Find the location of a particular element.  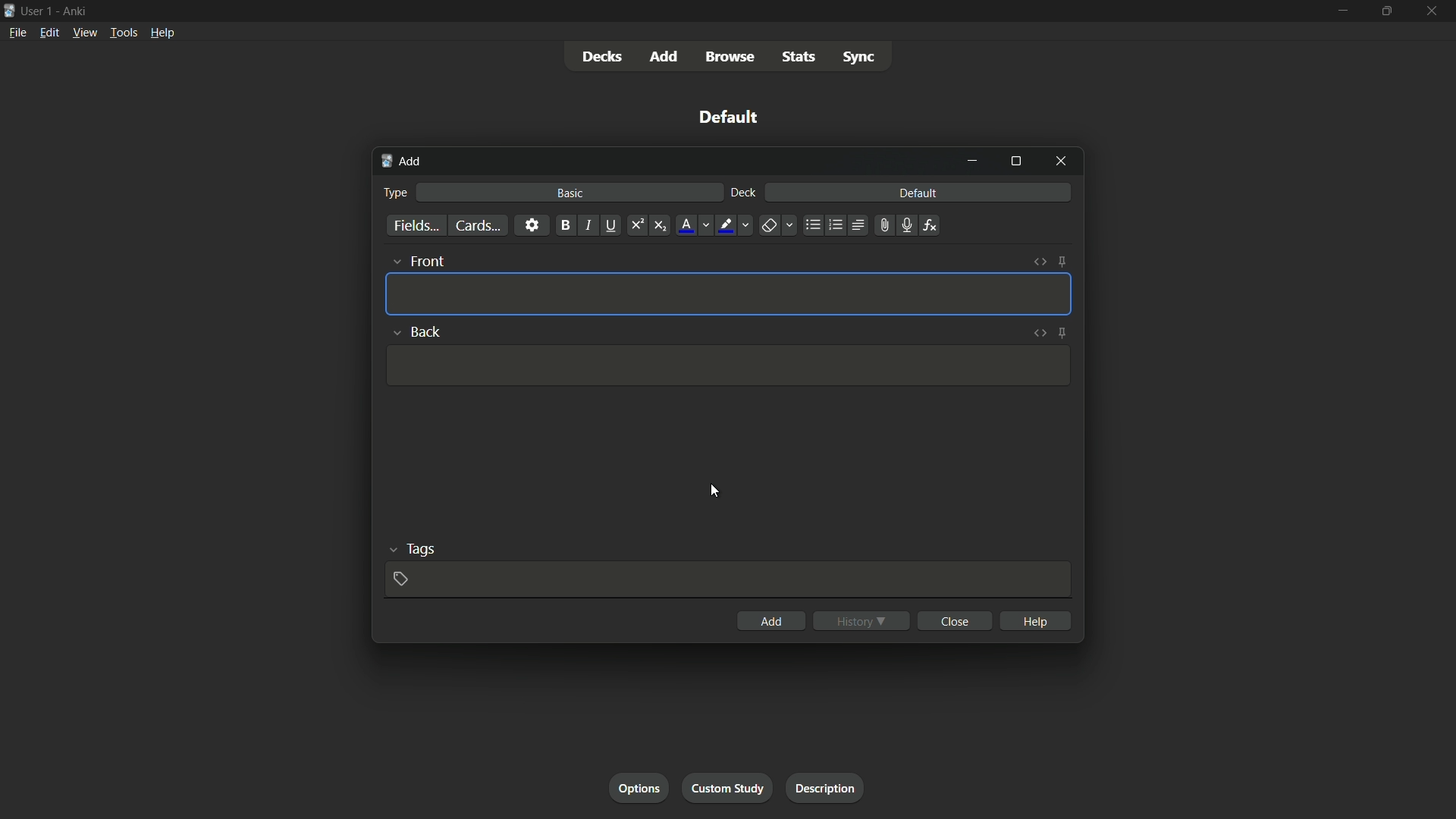

user-1 is located at coordinates (37, 9).